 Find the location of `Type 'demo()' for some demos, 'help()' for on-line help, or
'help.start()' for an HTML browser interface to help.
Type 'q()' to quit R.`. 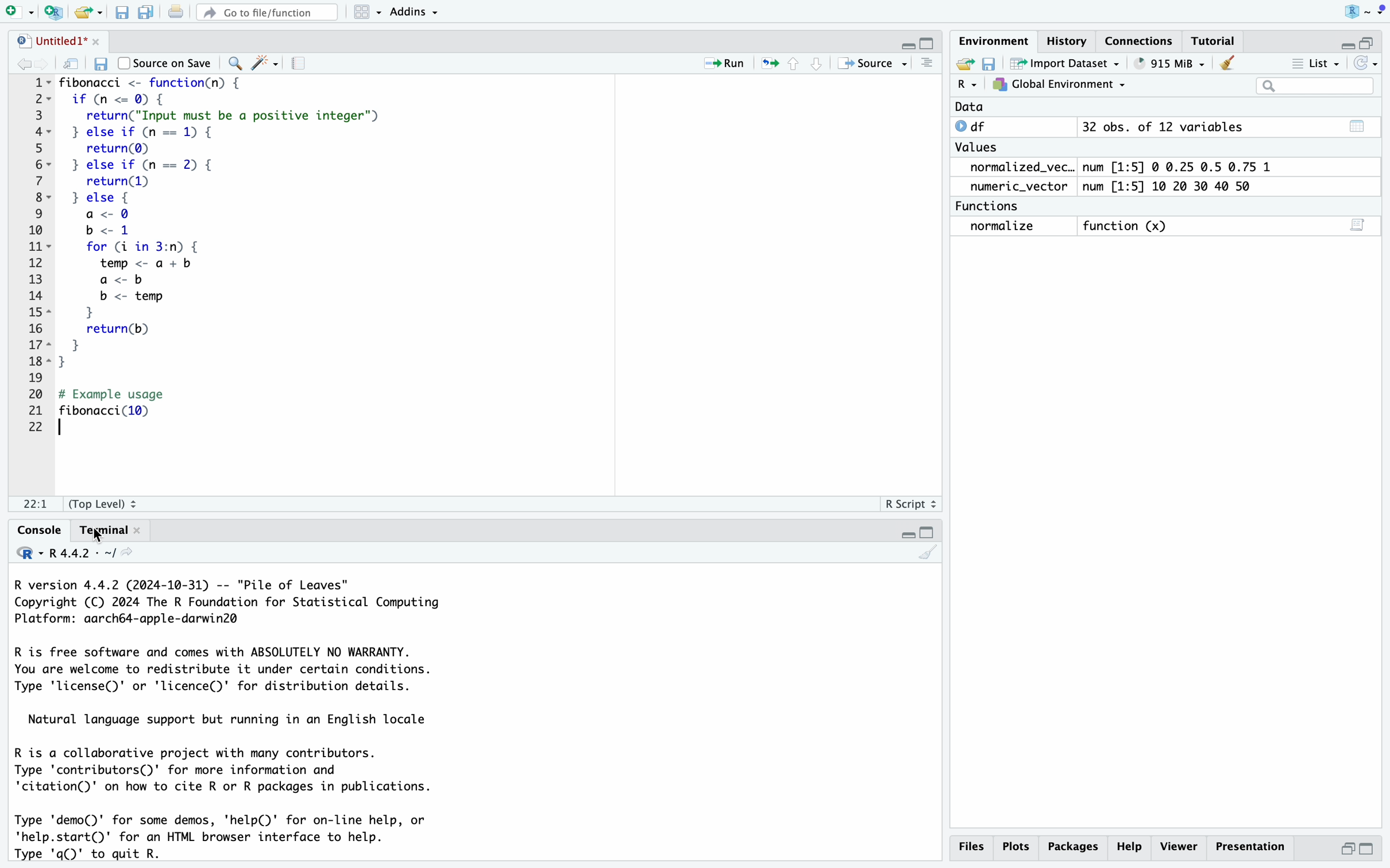

Type 'demo()' for some demos, 'help()' for on-line help, or
'help.start()' for an HTML browser interface to help.
Type 'q()' to quit R. is located at coordinates (240, 837).